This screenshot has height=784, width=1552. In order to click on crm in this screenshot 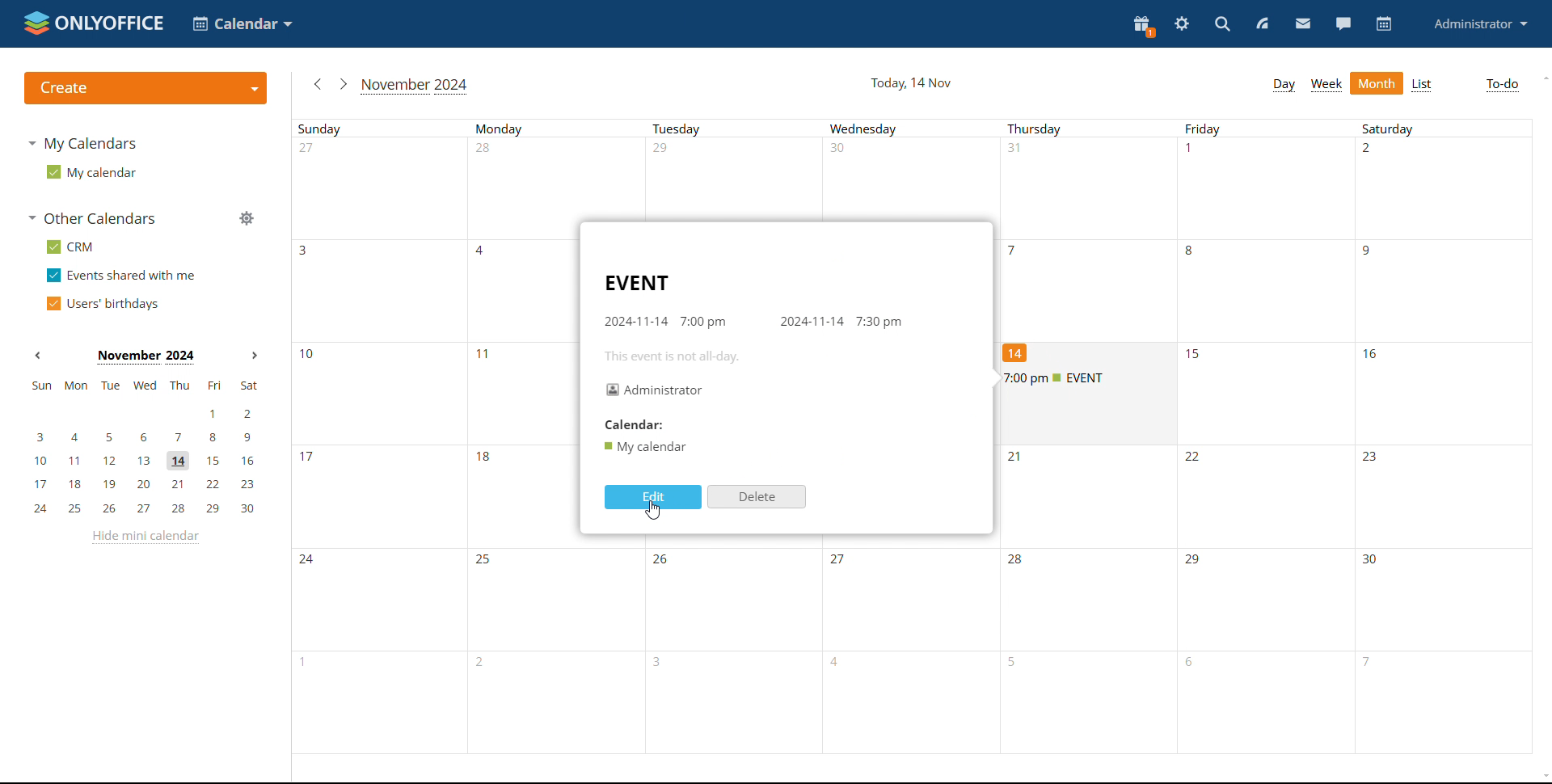, I will do `click(70, 247)`.